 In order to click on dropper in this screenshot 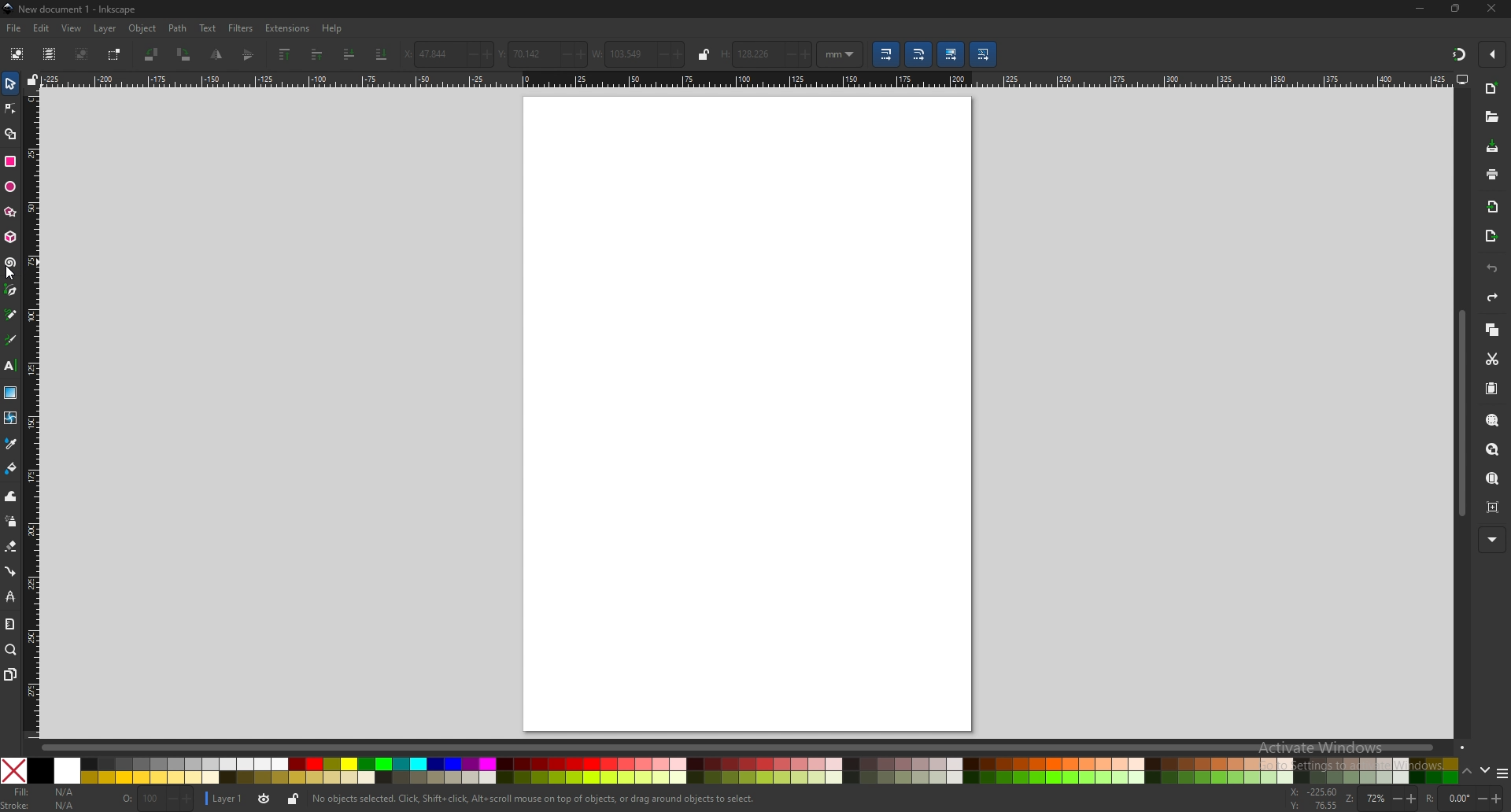, I will do `click(12, 444)`.